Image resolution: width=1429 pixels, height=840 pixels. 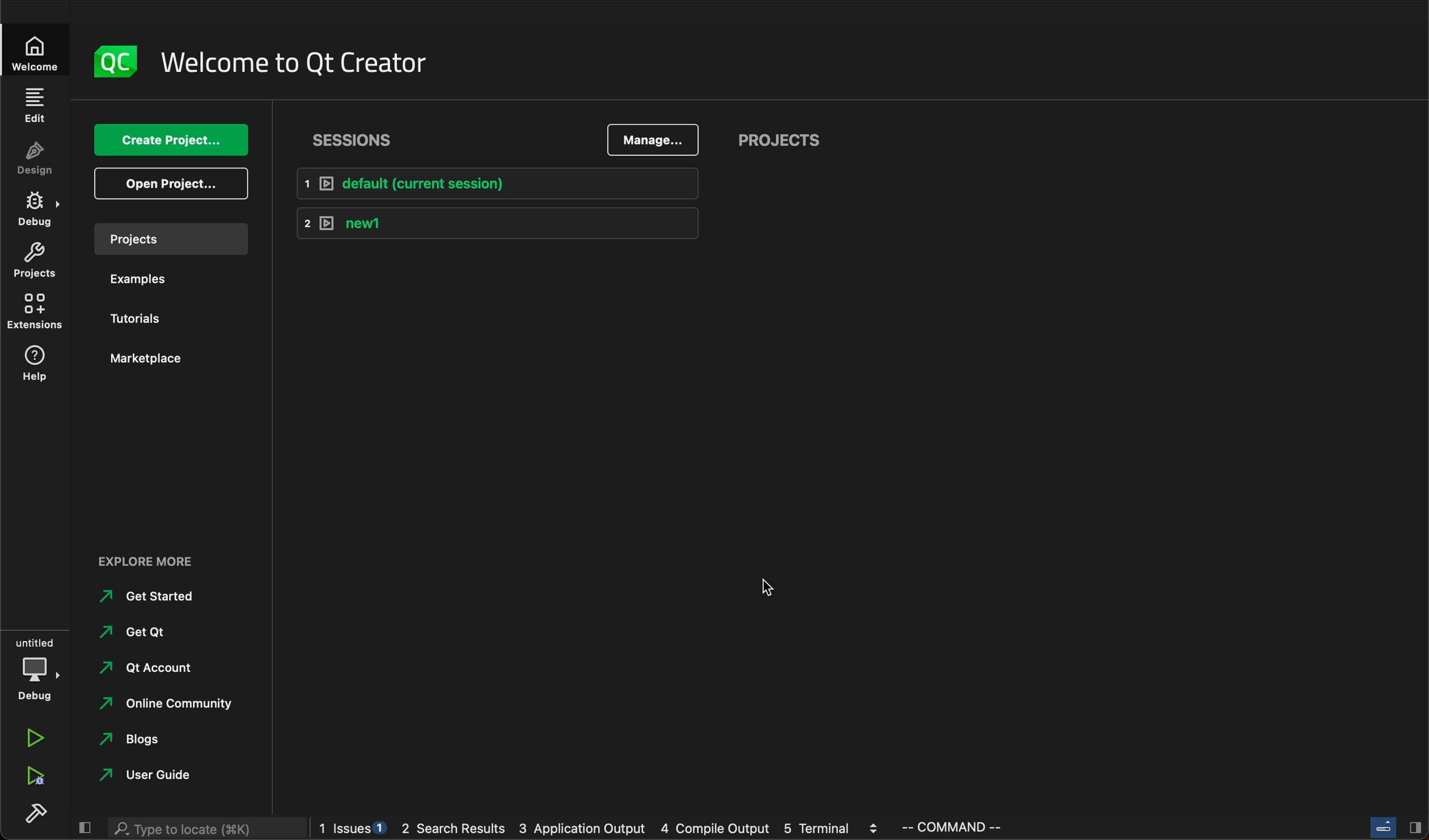 What do you see at coordinates (653, 139) in the screenshot?
I see `manage` at bounding box center [653, 139].